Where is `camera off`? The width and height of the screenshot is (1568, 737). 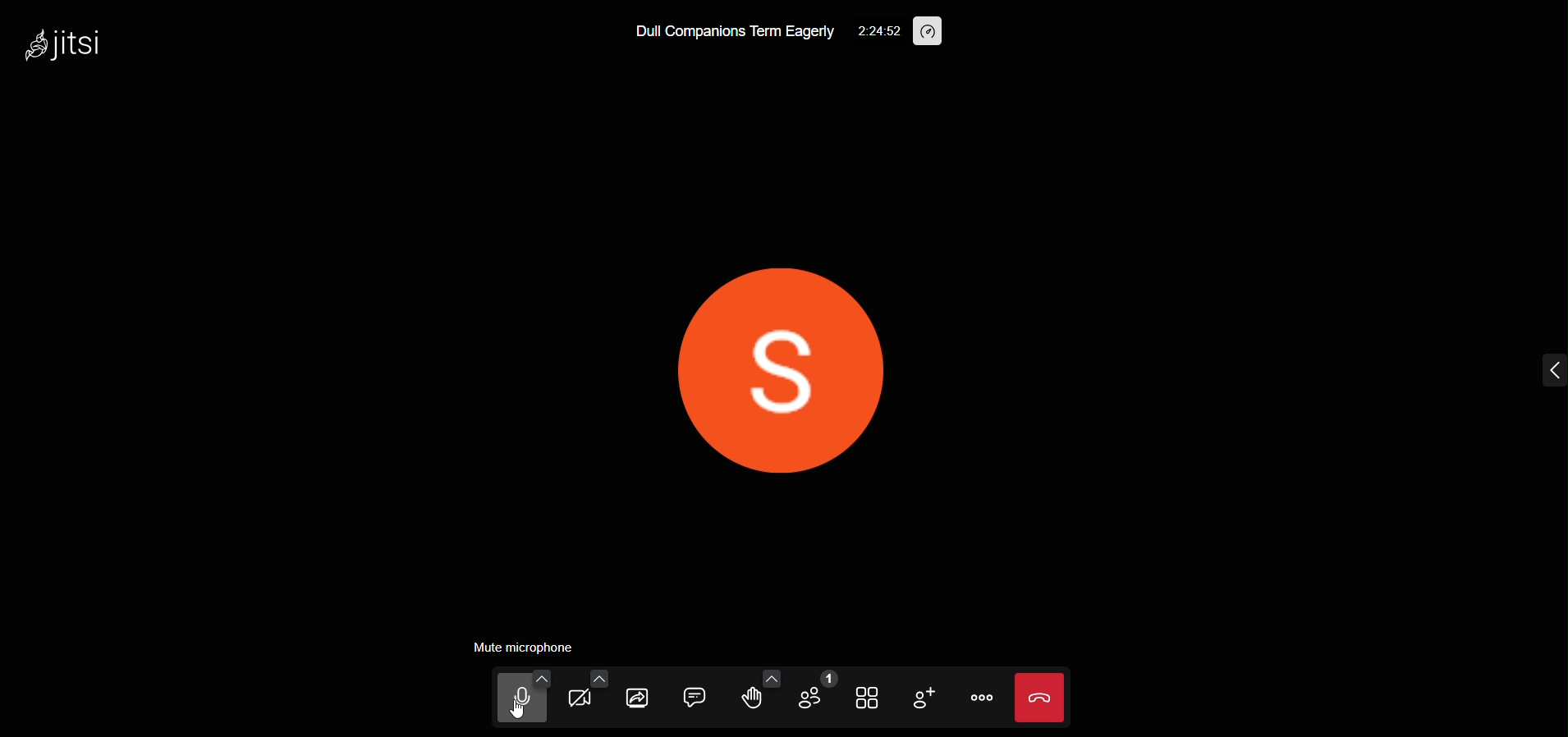
camera off is located at coordinates (585, 698).